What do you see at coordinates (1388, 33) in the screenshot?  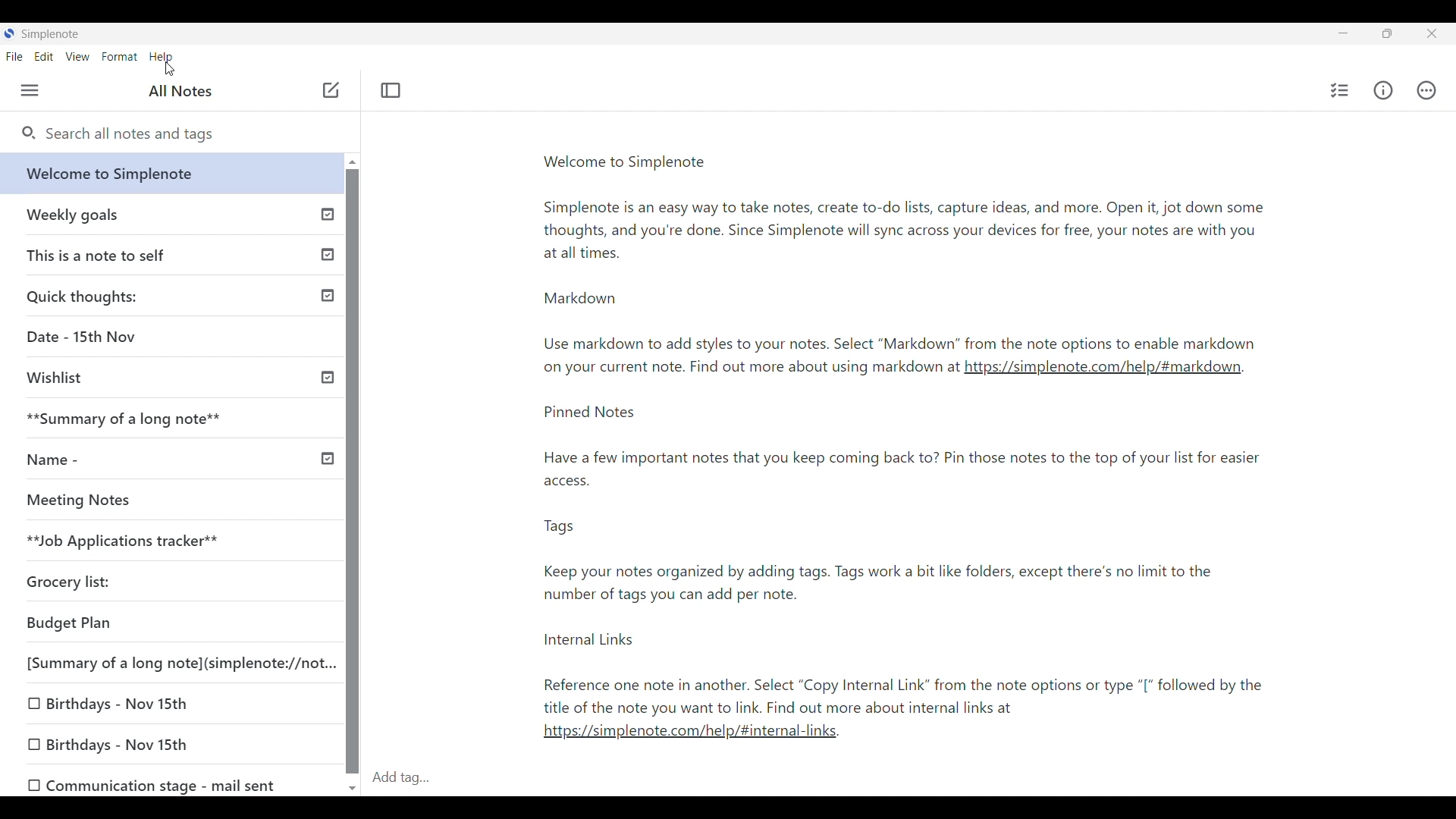 I see `Show interface in a smaller tab` at bounding box center [1388, 33].